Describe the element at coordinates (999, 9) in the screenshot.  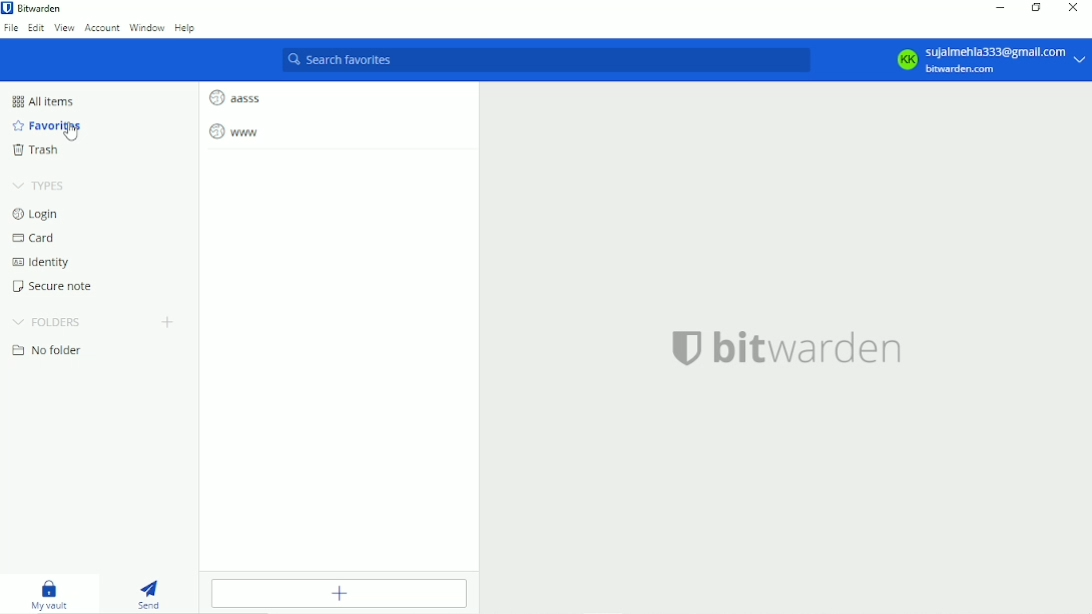
I see `Minimize` at that location.